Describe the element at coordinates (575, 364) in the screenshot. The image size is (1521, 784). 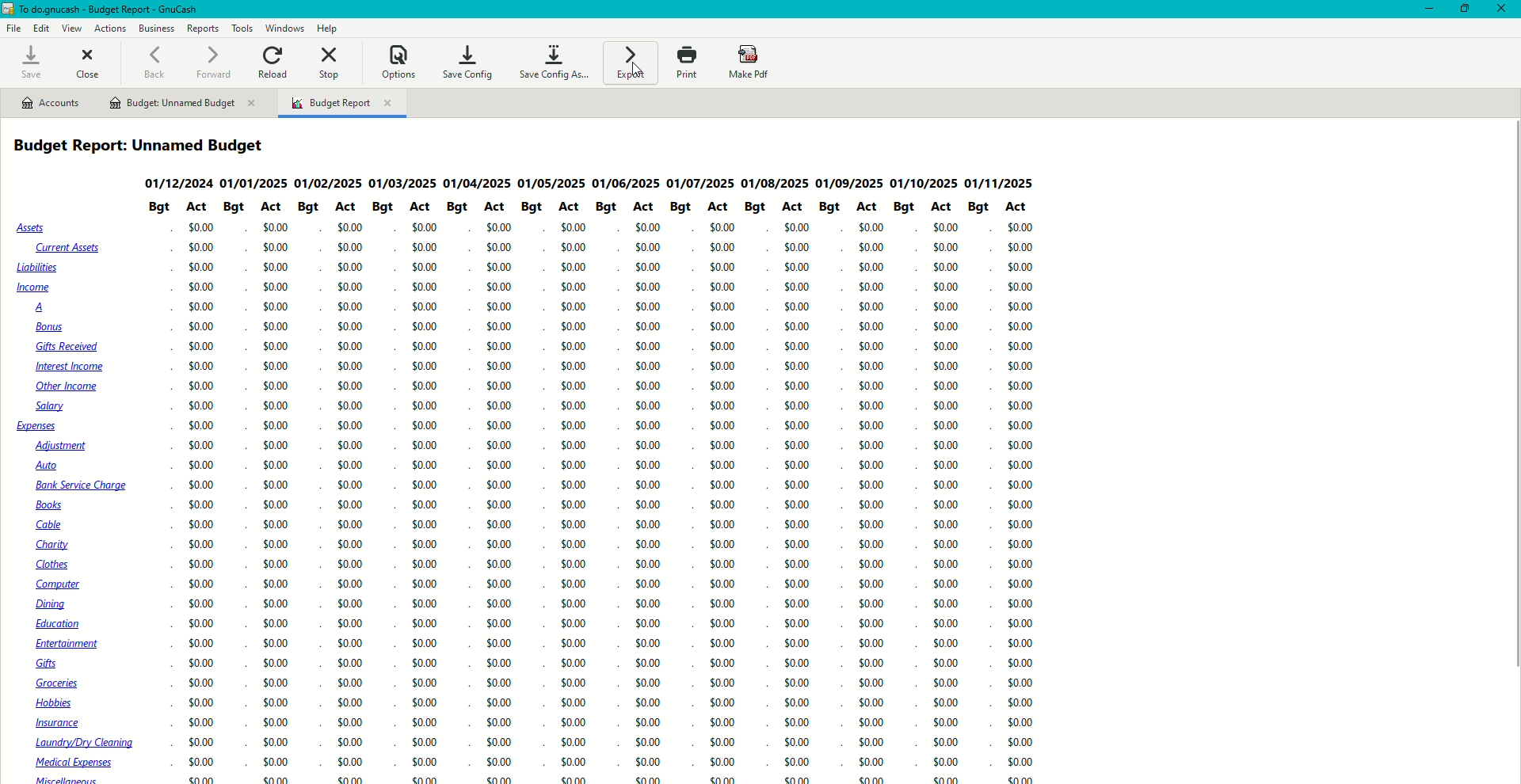
I see `$0.00` at that location.